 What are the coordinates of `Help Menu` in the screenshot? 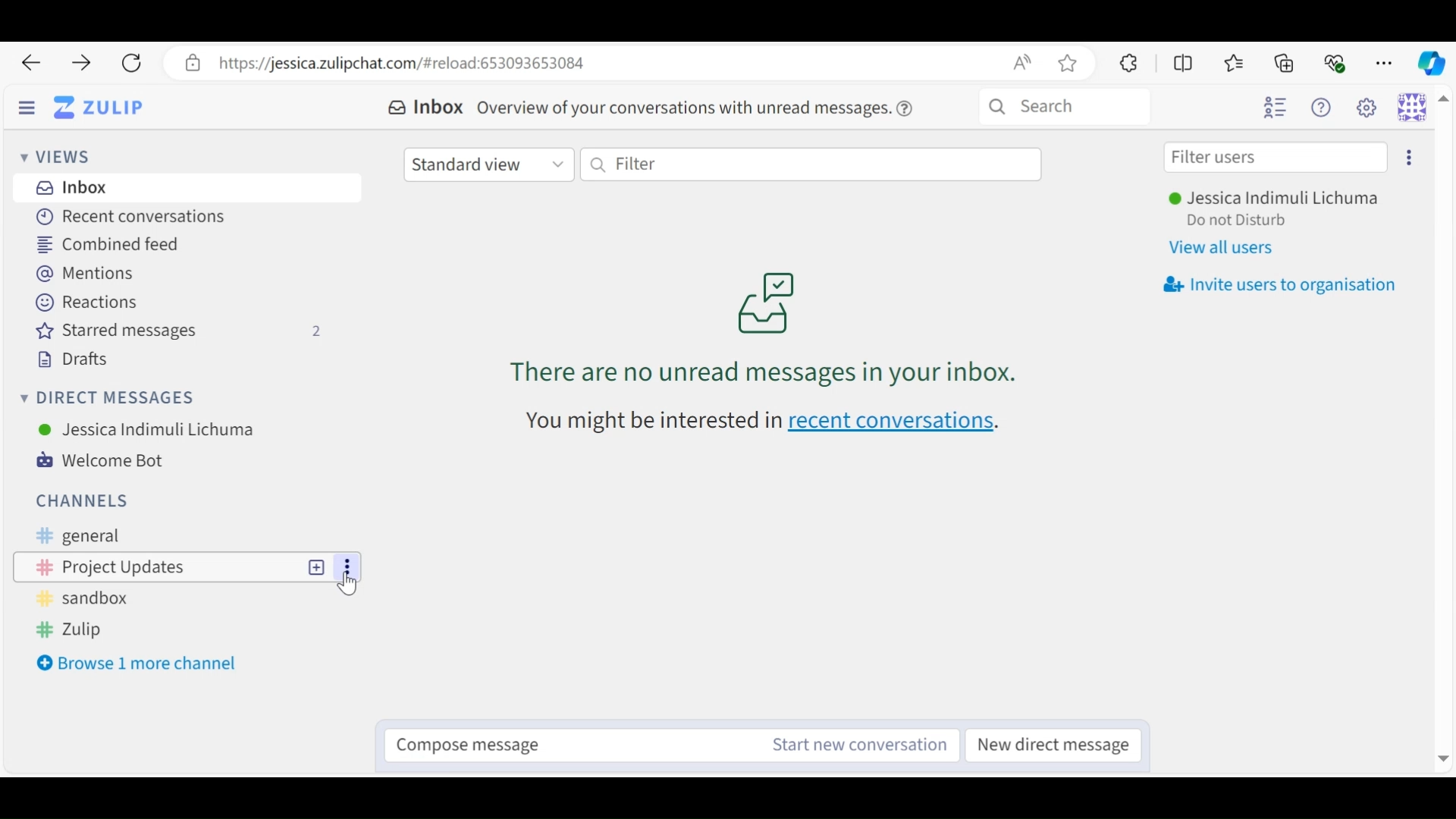 It's located at (1325, 108).